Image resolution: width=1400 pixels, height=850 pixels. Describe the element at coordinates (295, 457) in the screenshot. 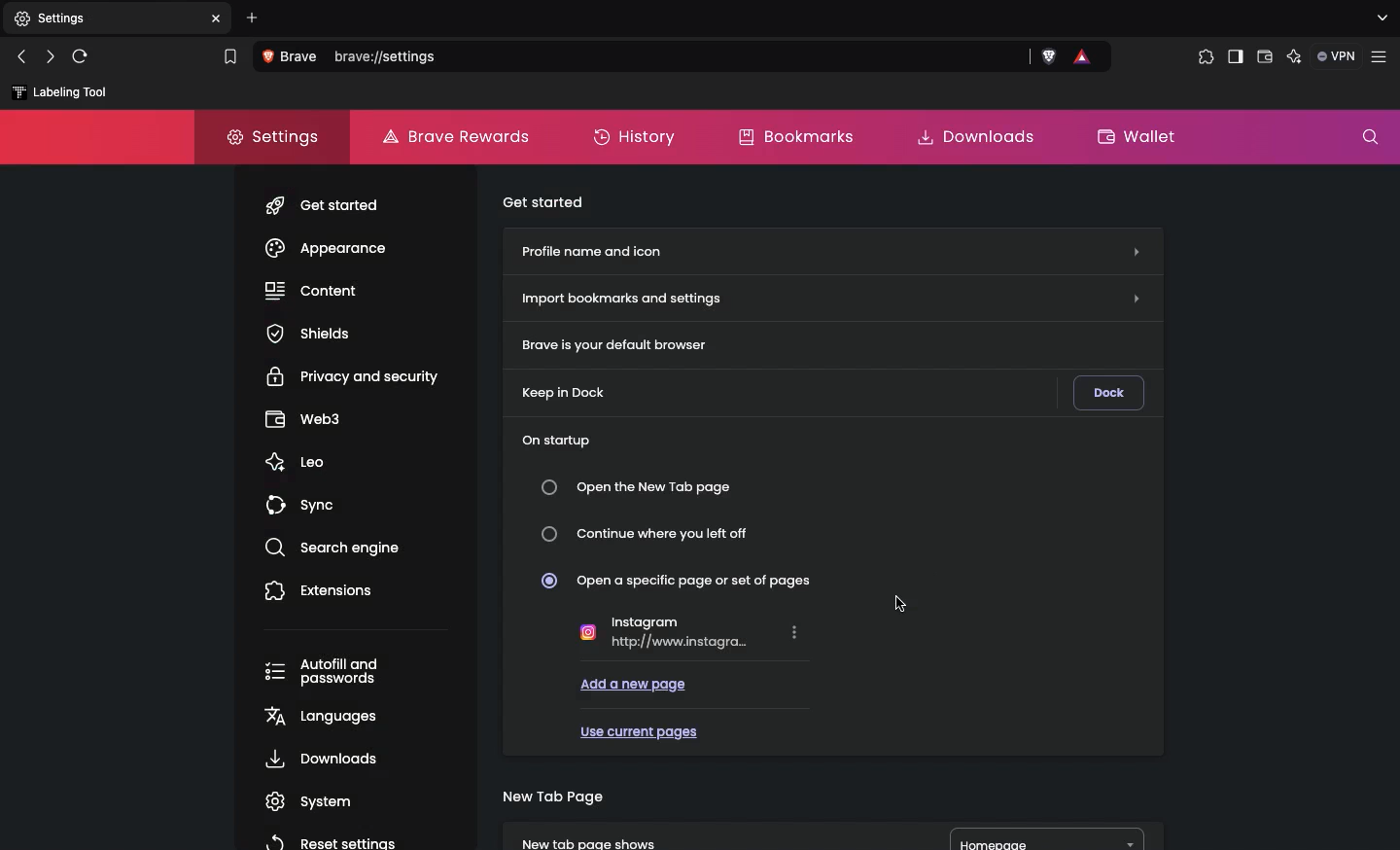

I see `Leo` at that location.